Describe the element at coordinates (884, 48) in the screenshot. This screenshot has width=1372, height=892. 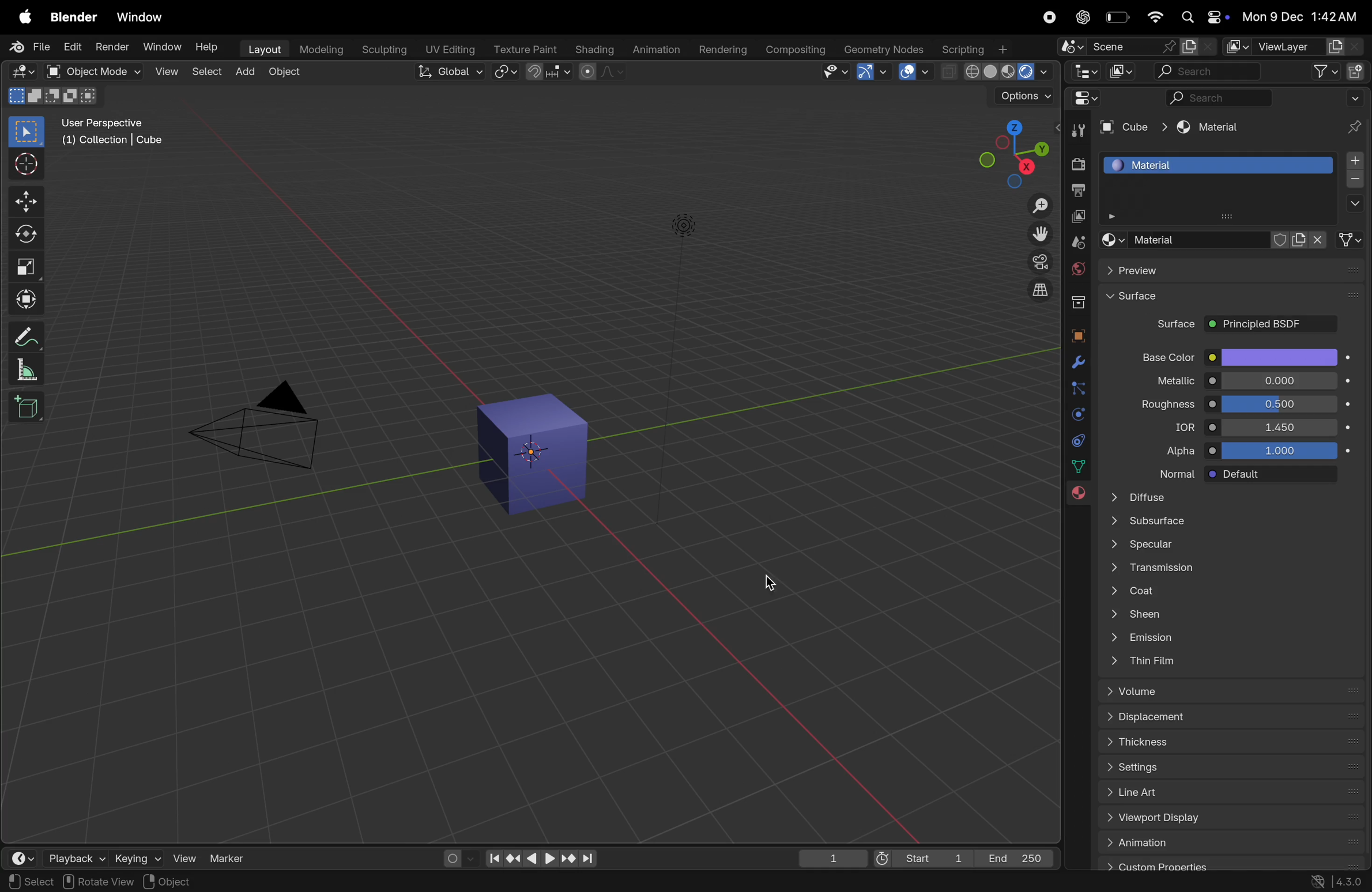
I see `Geometry notes` at that location.